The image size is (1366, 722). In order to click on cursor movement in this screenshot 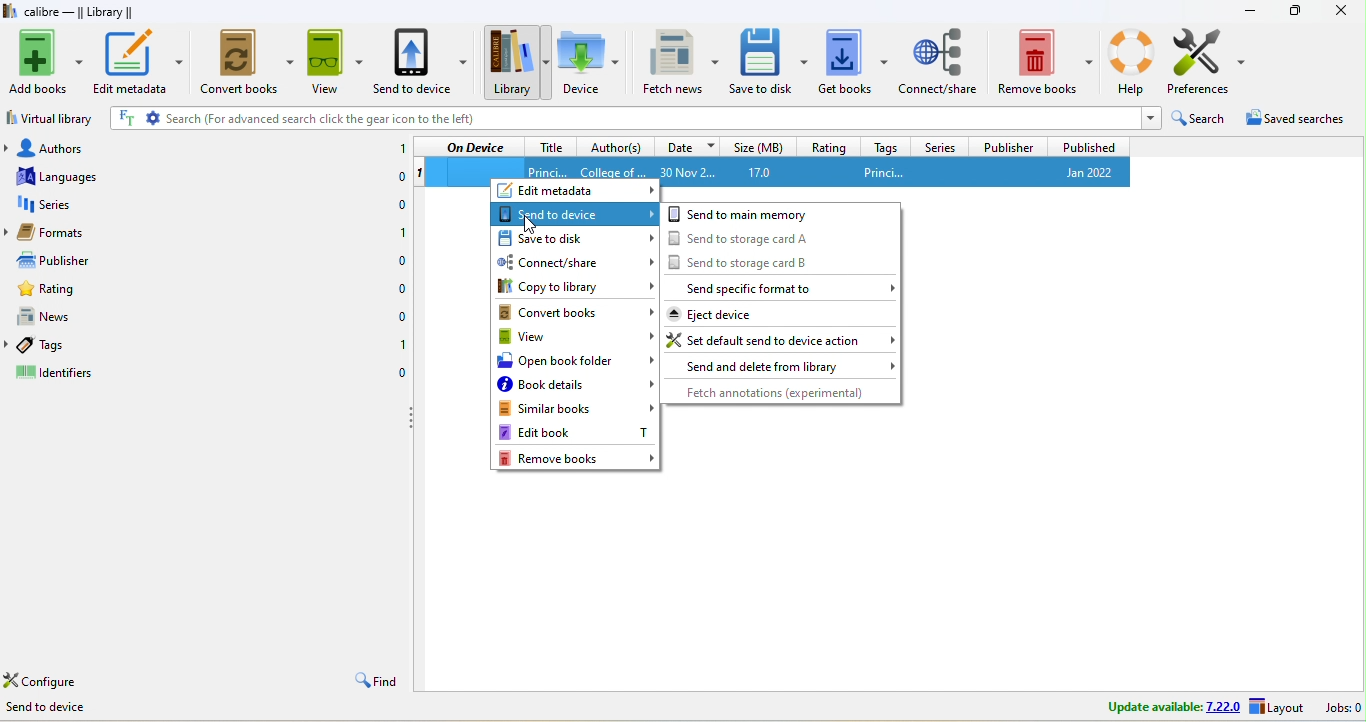, I will do `click(528, 224)`.